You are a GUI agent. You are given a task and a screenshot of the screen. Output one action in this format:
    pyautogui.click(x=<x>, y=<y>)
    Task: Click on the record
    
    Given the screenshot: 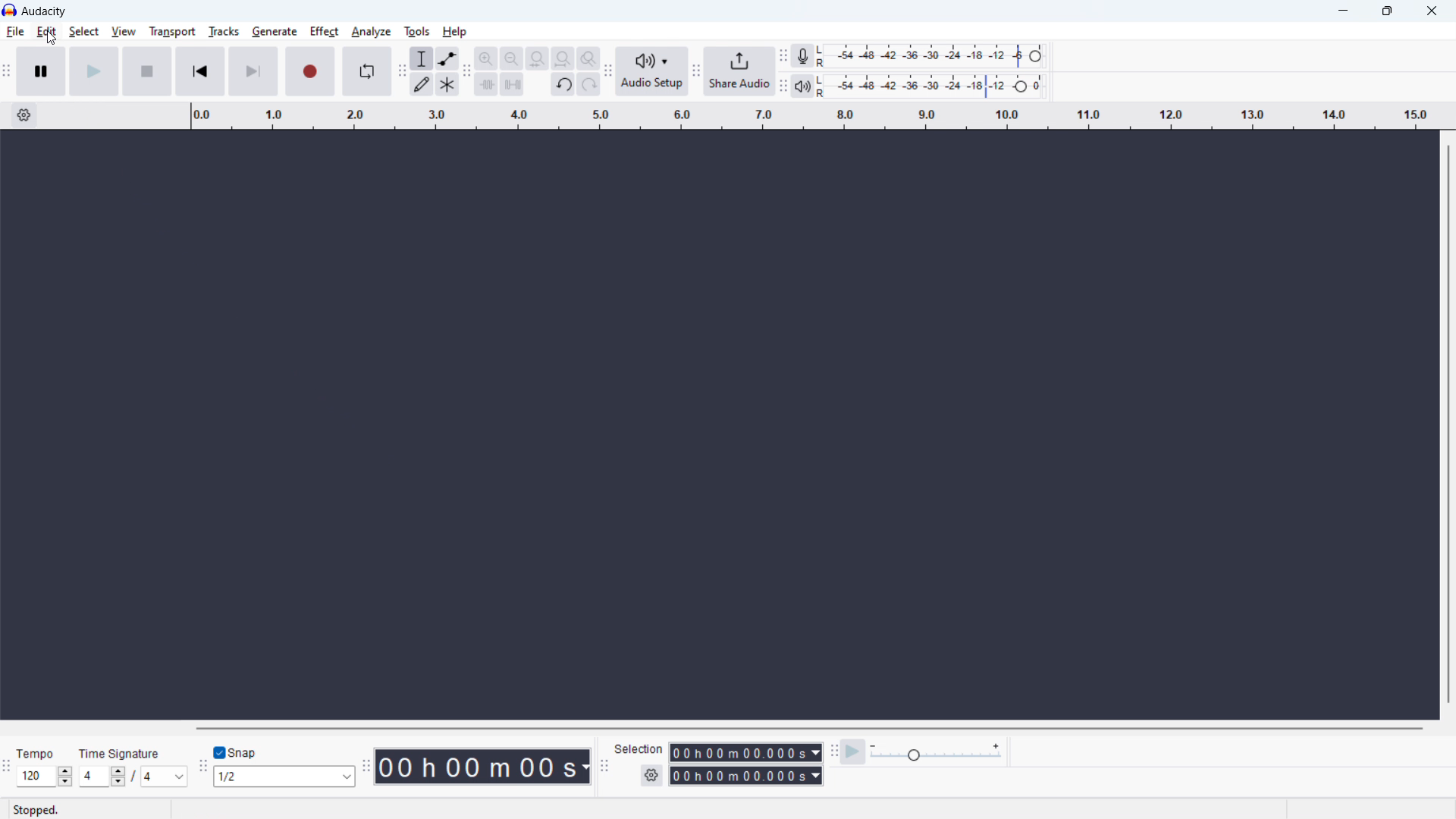 What is the action you would take?
    pyautogui.click(x=310, y=71)
    